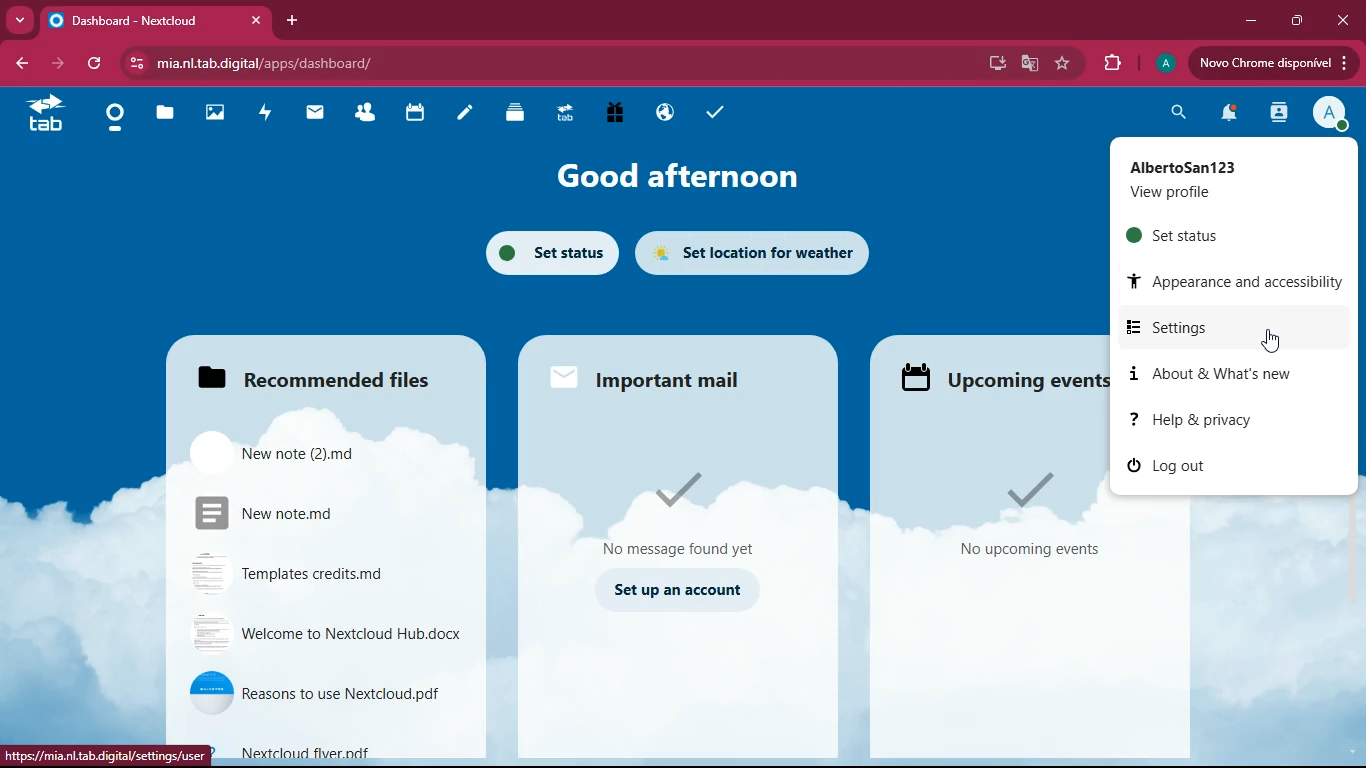  I want to click on tab, so click(45, 114).